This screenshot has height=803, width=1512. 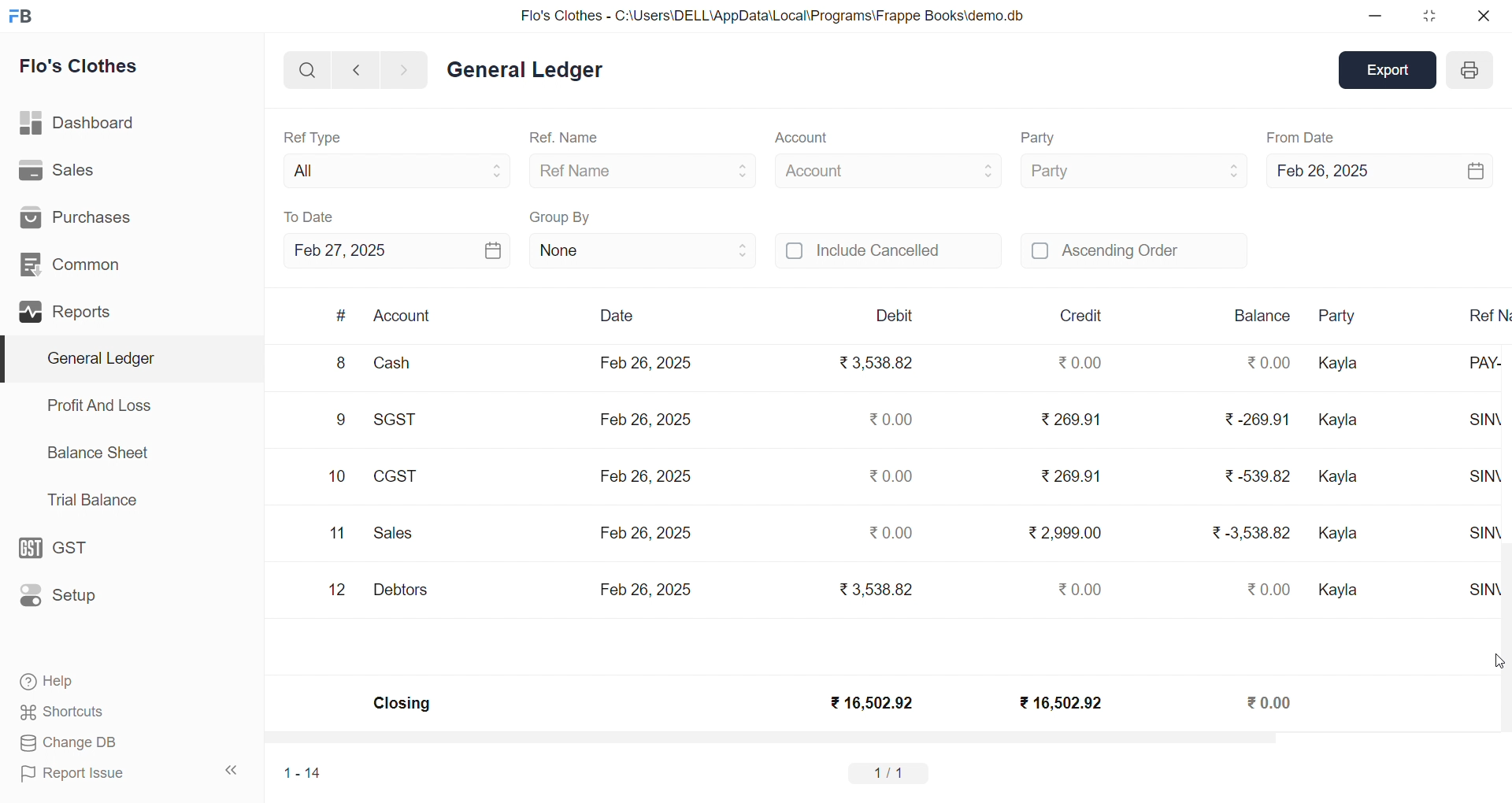 I want to click on ₹ 0.00, so click(x=1077, y=362).